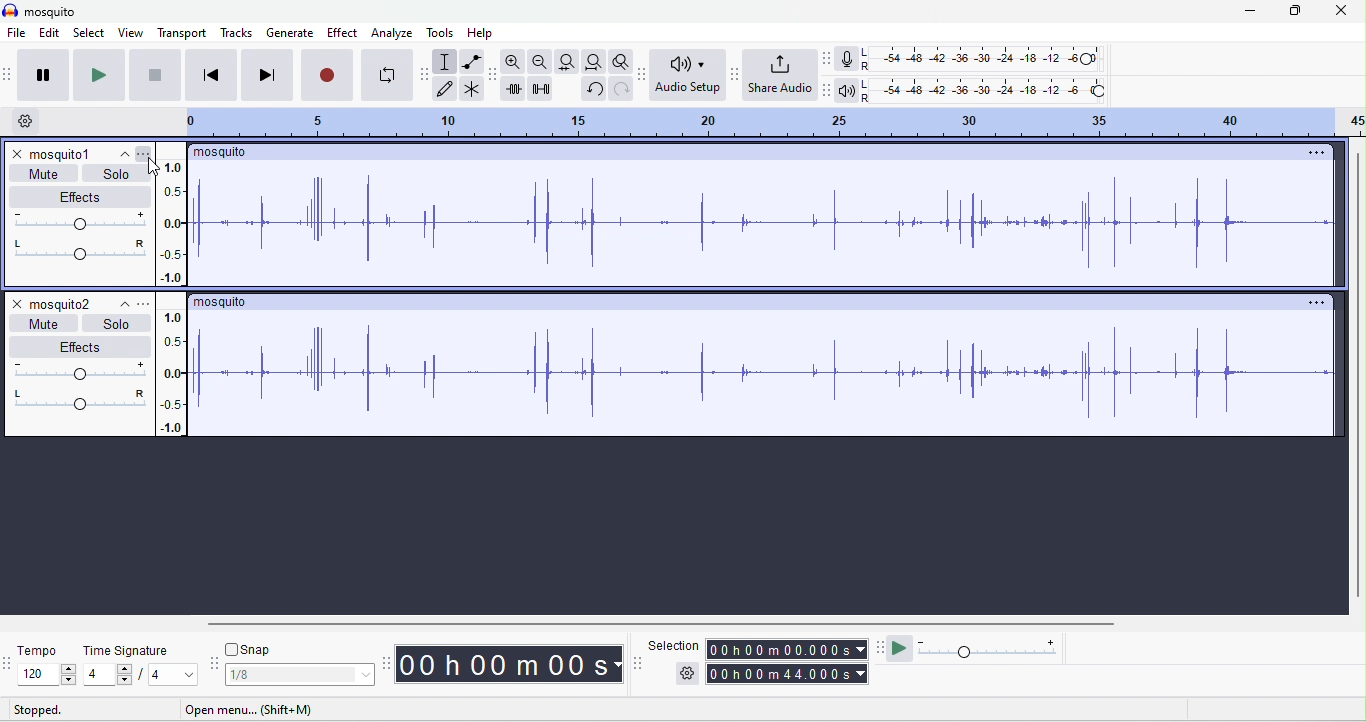 The image size is (1366, 722). I want to click on stop, so click(154, 76).